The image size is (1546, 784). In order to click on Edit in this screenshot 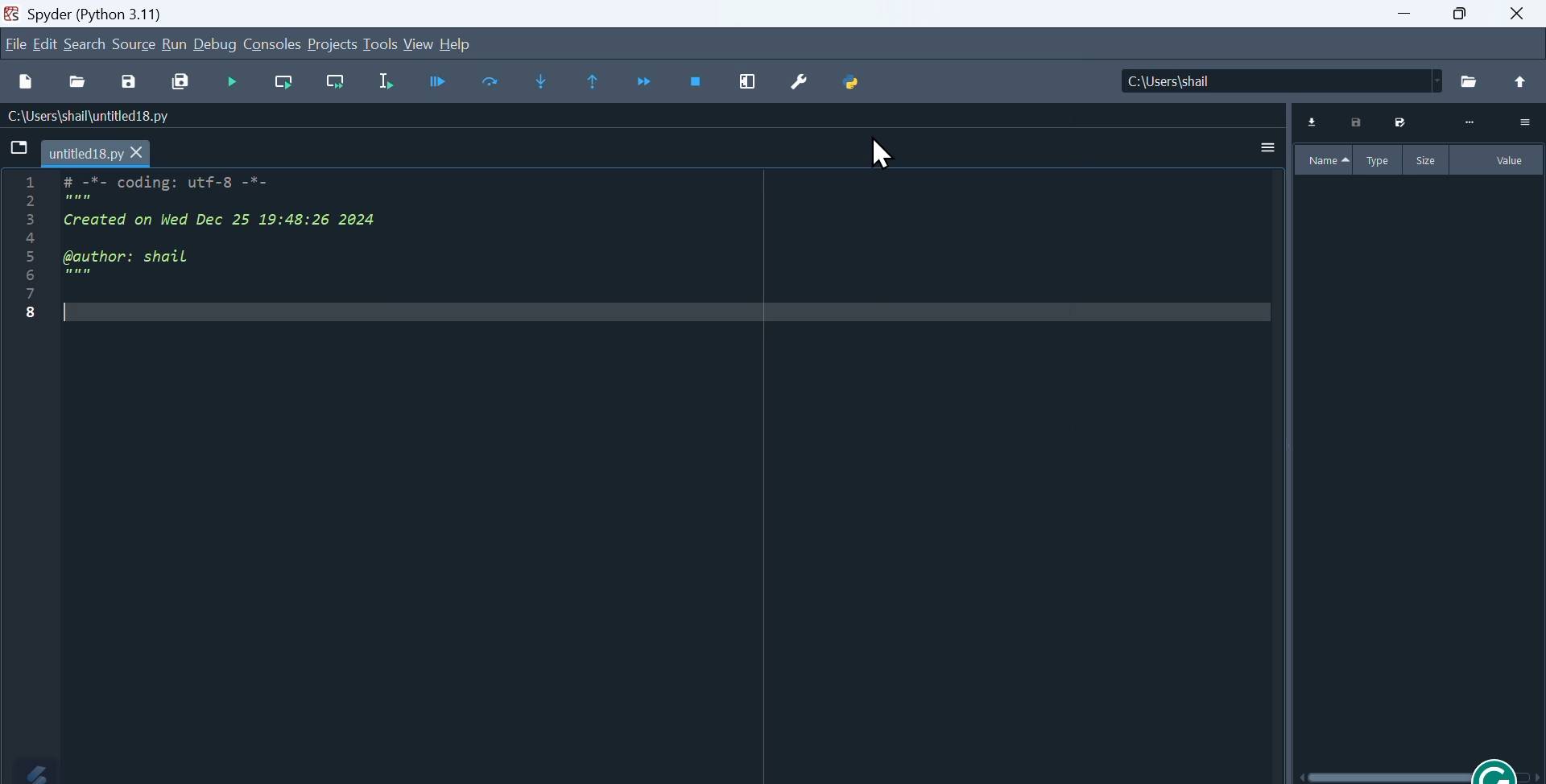, I will do `click(46, 42)`.